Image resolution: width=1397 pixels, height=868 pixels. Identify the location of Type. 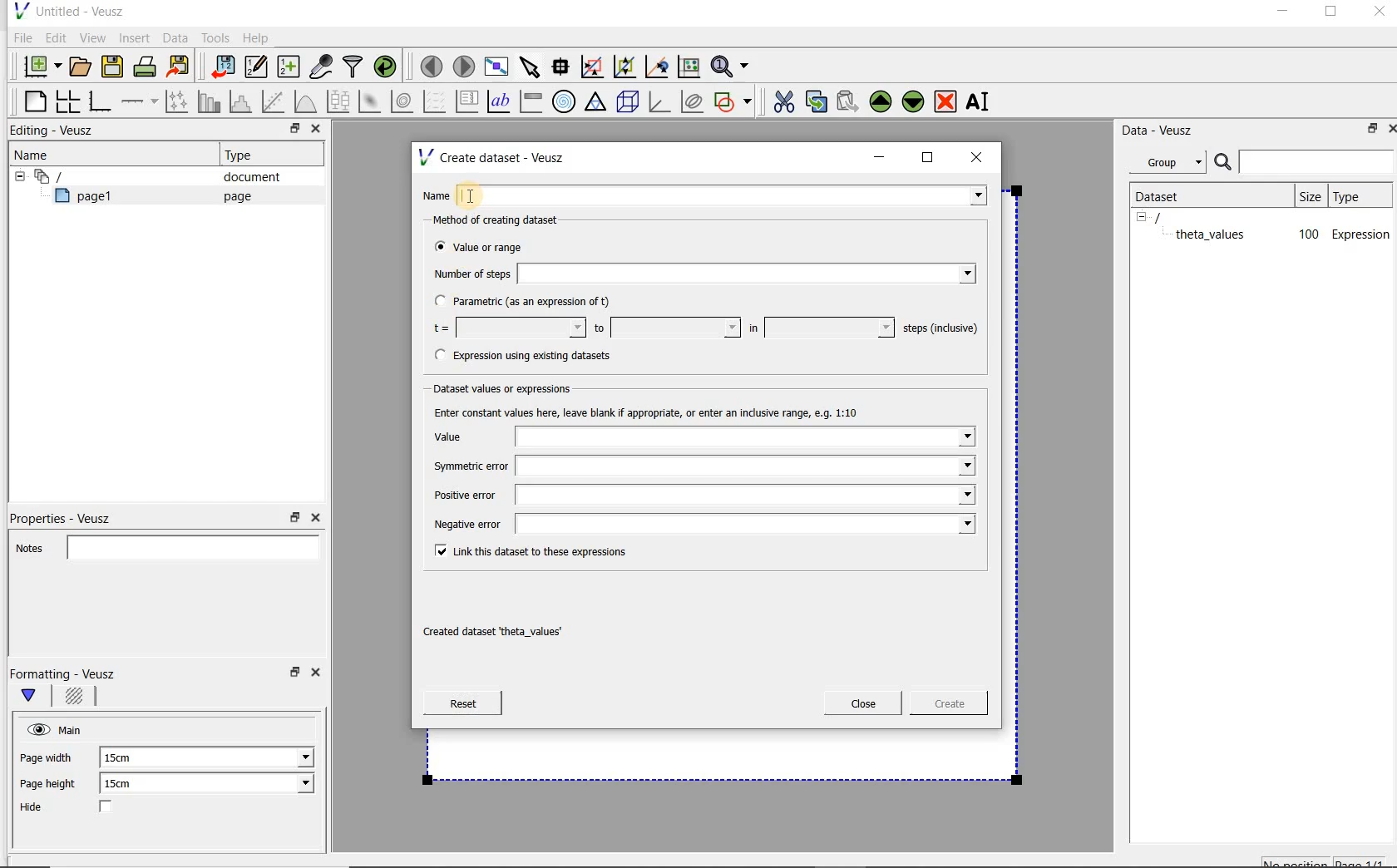
(1358, 195).